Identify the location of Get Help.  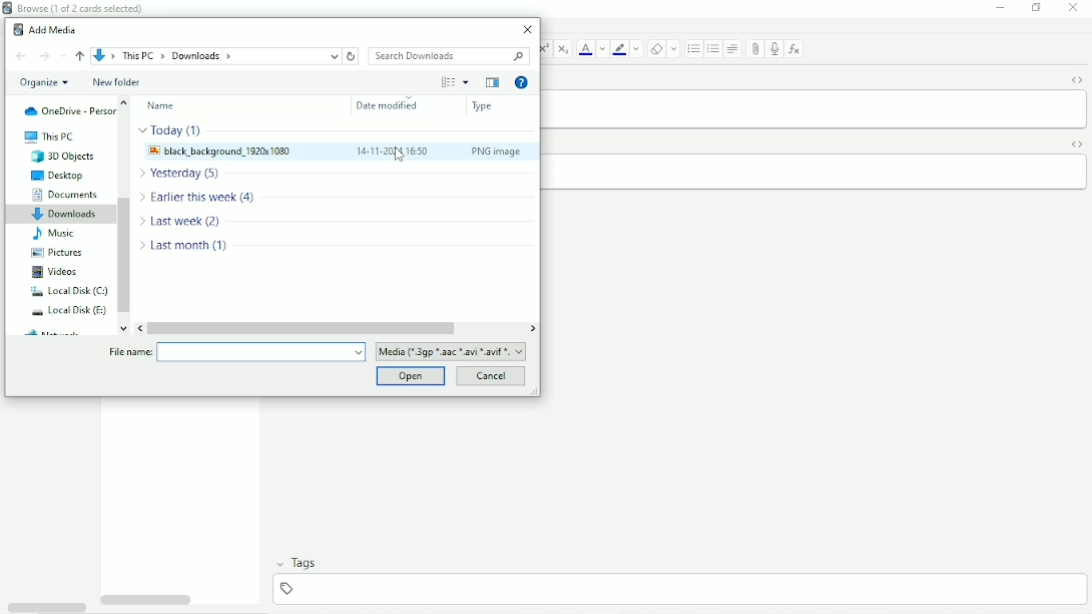
(523, 82).